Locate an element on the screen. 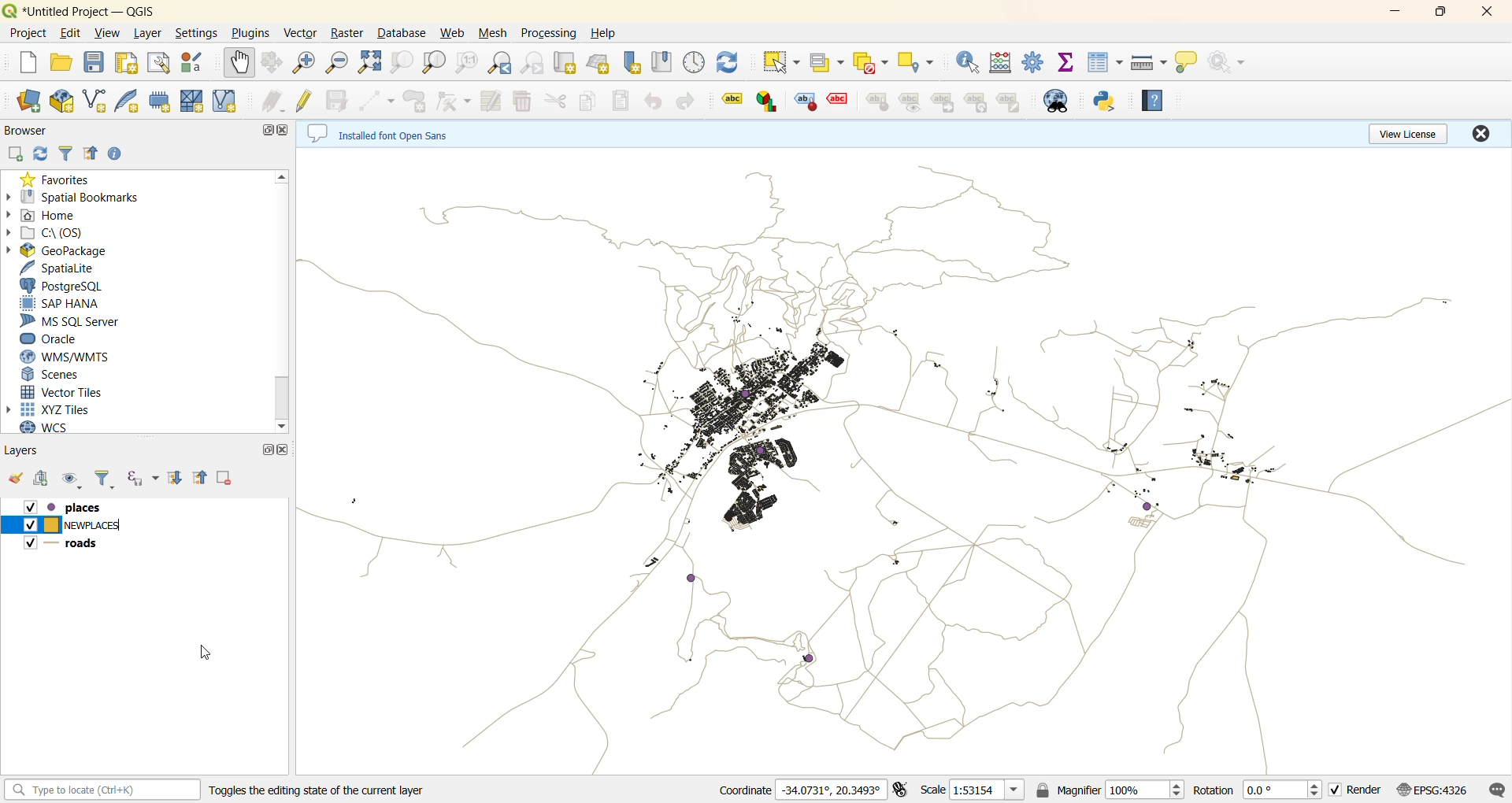  processing is located at coordinates (551, 31).